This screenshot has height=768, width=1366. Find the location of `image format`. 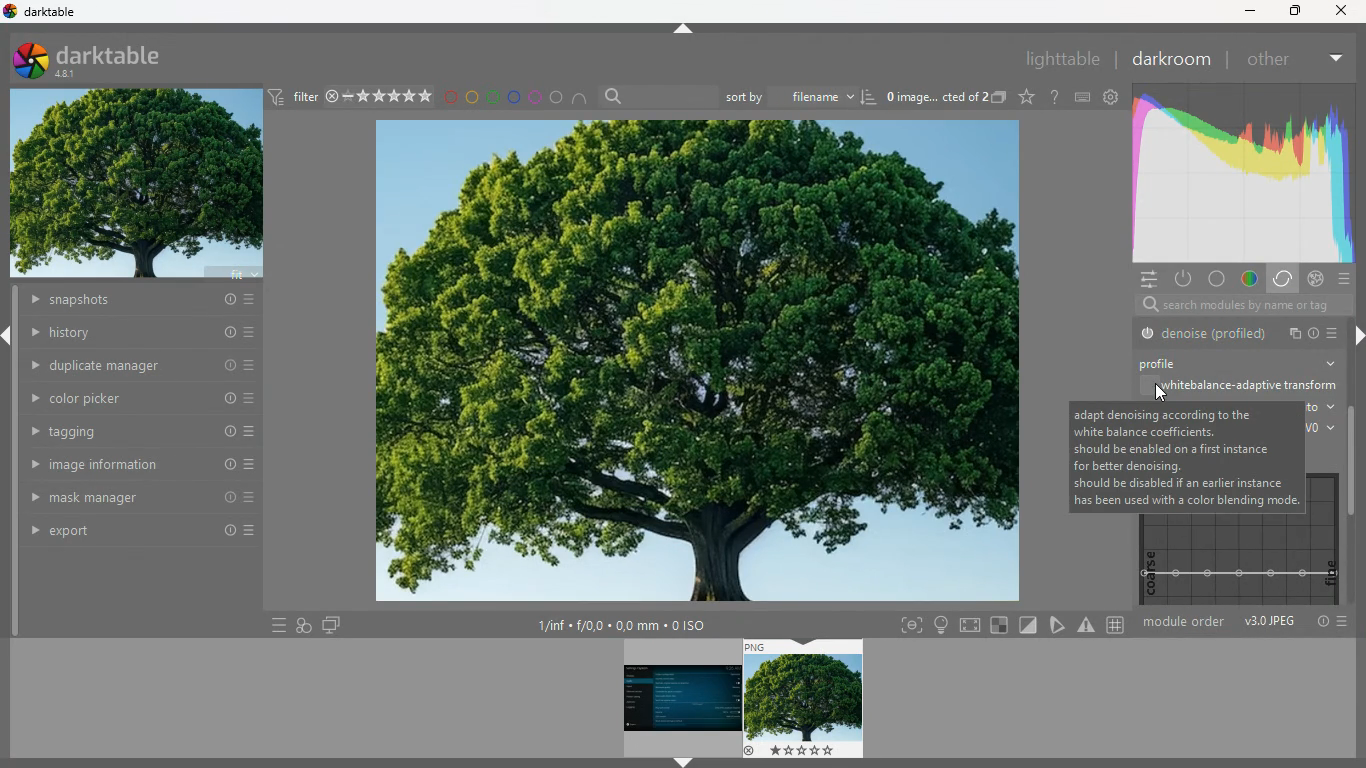

image format is located at coordinates (1269, 622).